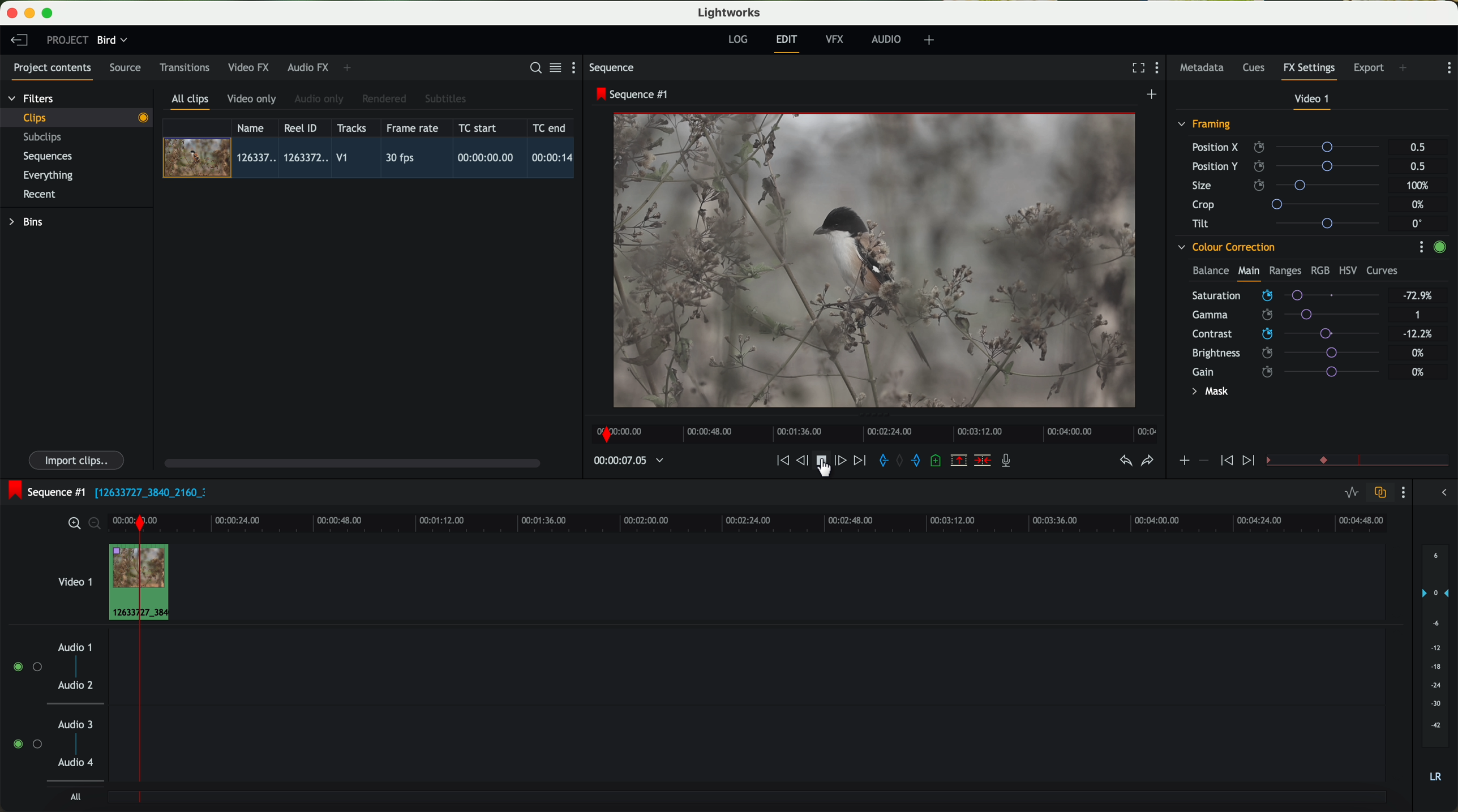  What do you see at coordinates (554, 67) in the screenshot?
I see `toggle between list and title view` at bounding box center [554, 67].